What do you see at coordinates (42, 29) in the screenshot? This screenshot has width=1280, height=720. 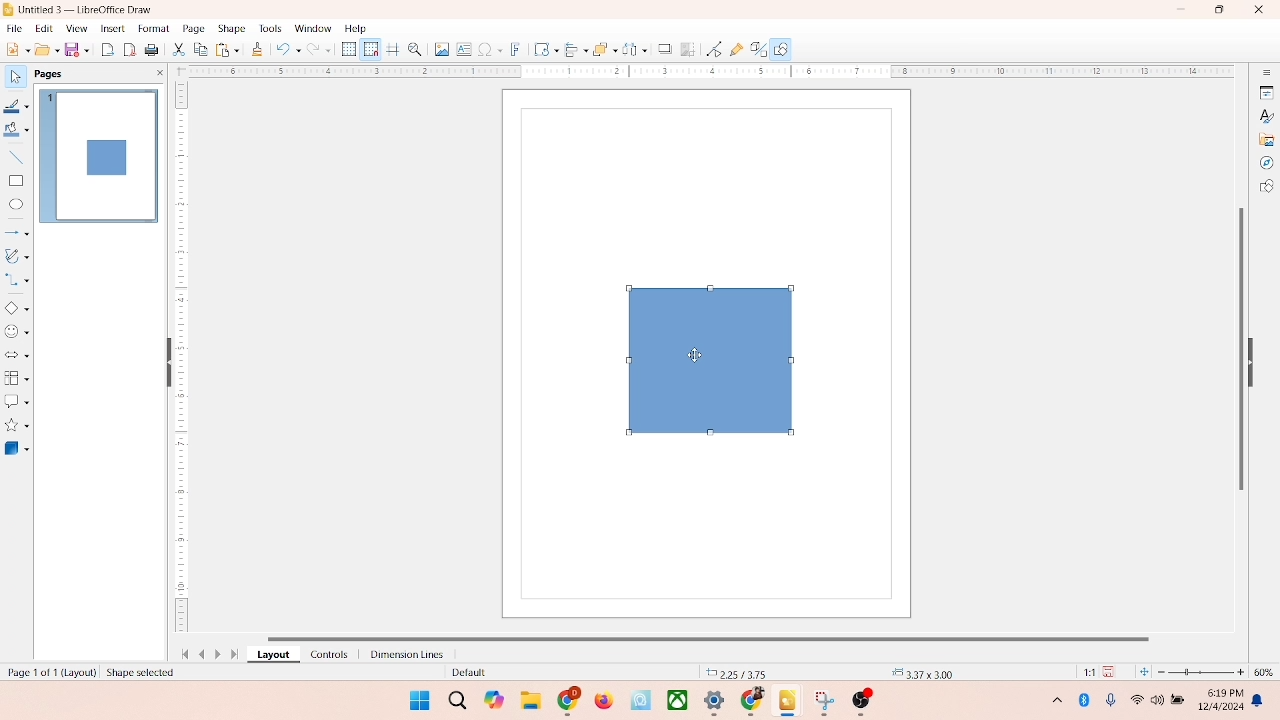 I see `edit` at bounding box center [42, 29].